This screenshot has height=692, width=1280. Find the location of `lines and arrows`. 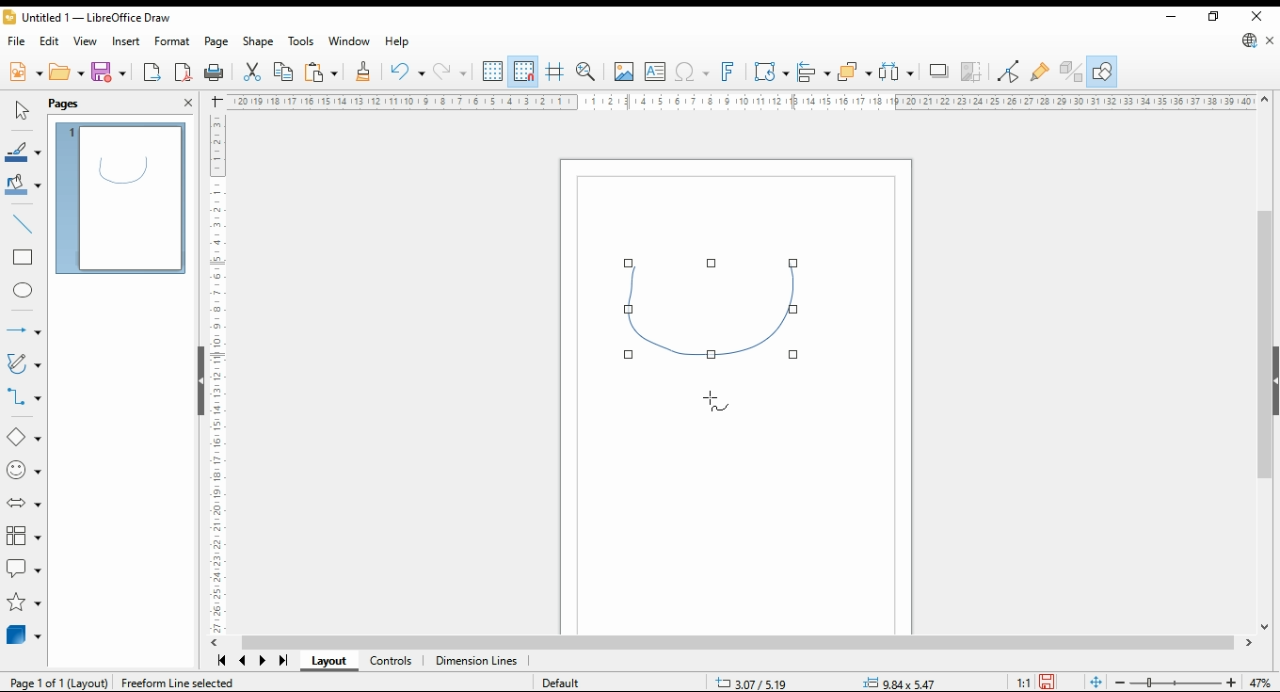

lines and arrows is located at coordinates (22, 330).